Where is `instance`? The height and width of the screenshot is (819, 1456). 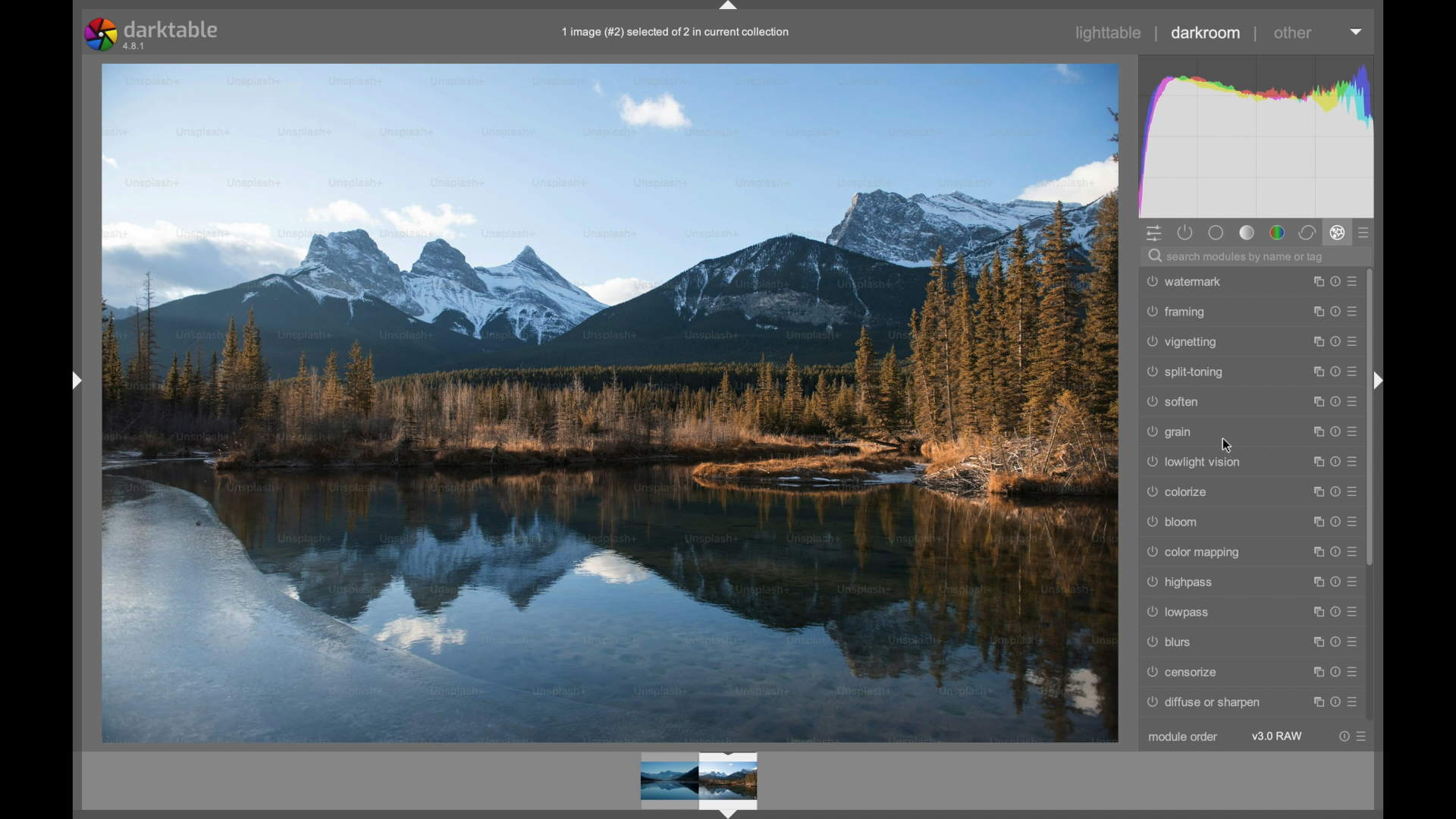
instance is located at coordinates (1313, 401).